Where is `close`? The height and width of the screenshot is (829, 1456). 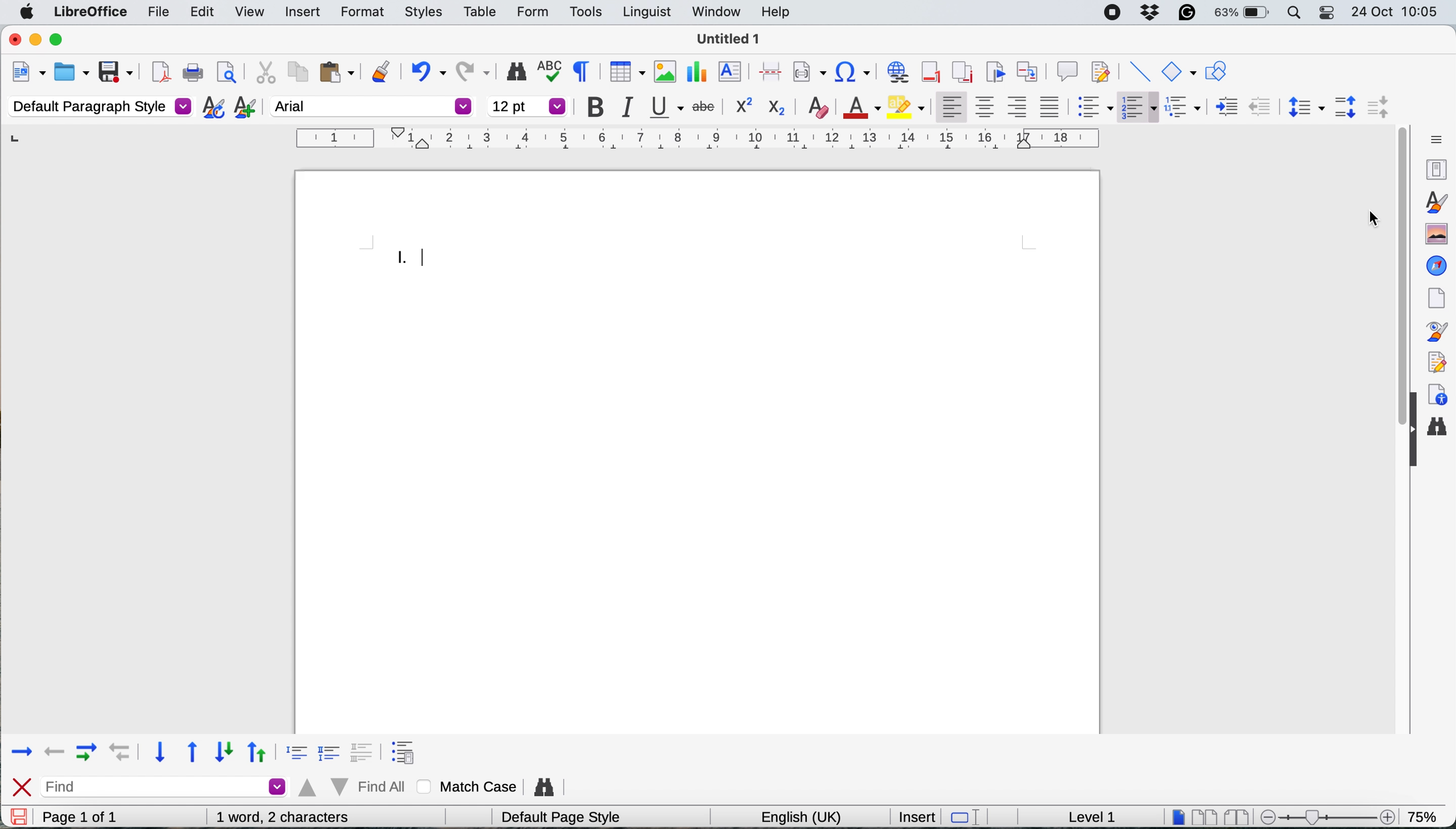 close is located at coordinates (22, 787).